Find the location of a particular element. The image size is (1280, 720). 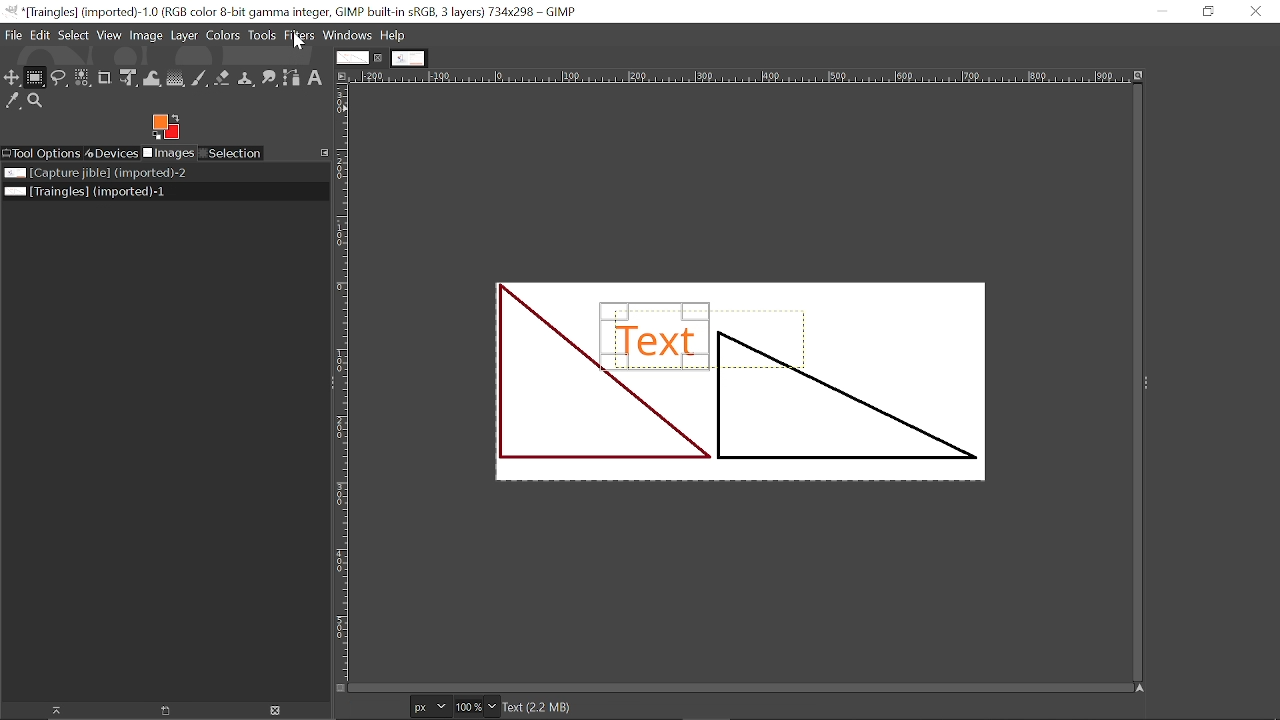

Current zoom is located at coordinates (468, 706).